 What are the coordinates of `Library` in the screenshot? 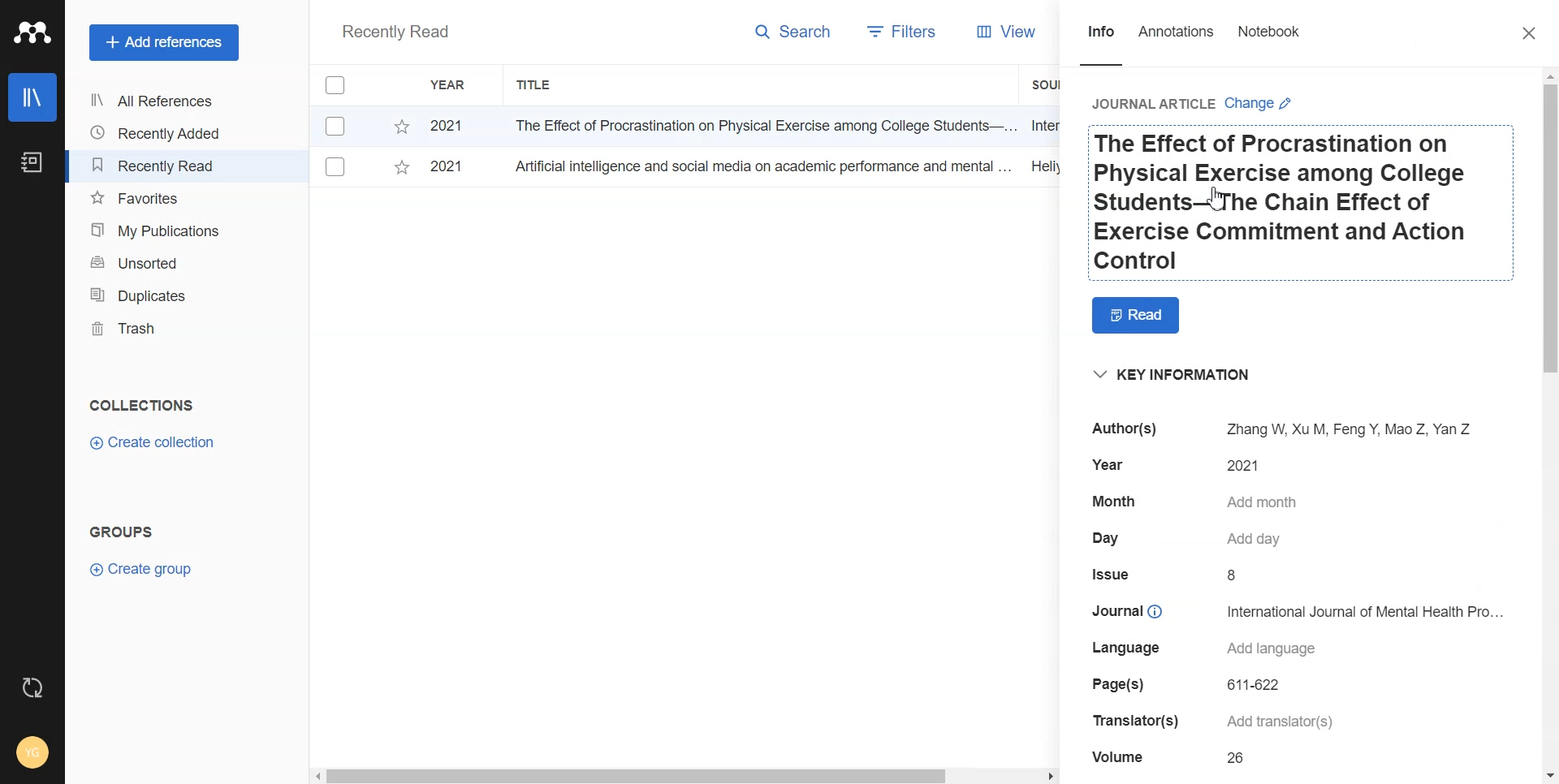 It's located at (33, 97).